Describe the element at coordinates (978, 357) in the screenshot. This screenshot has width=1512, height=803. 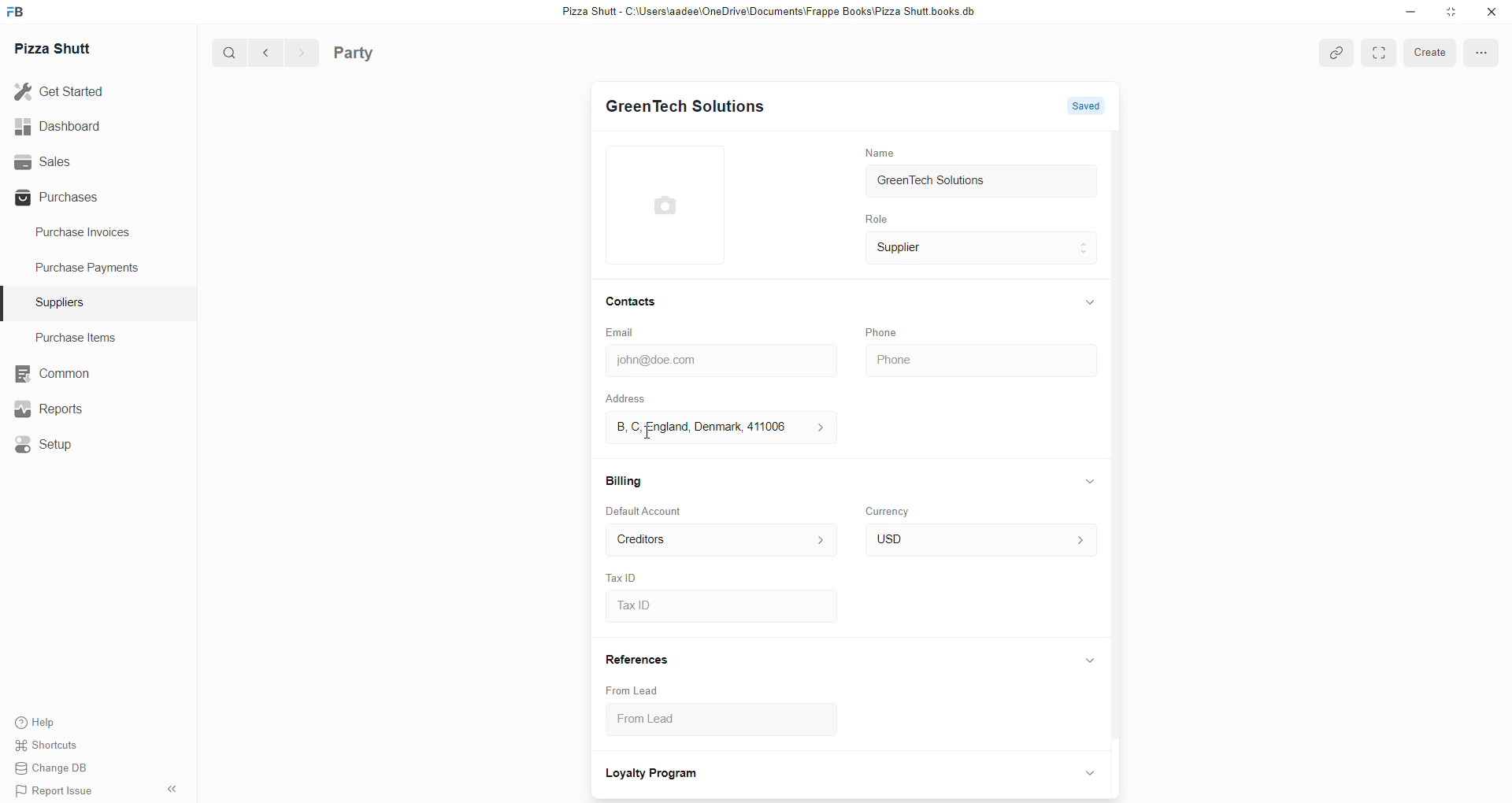
I see `Phone` at that location.